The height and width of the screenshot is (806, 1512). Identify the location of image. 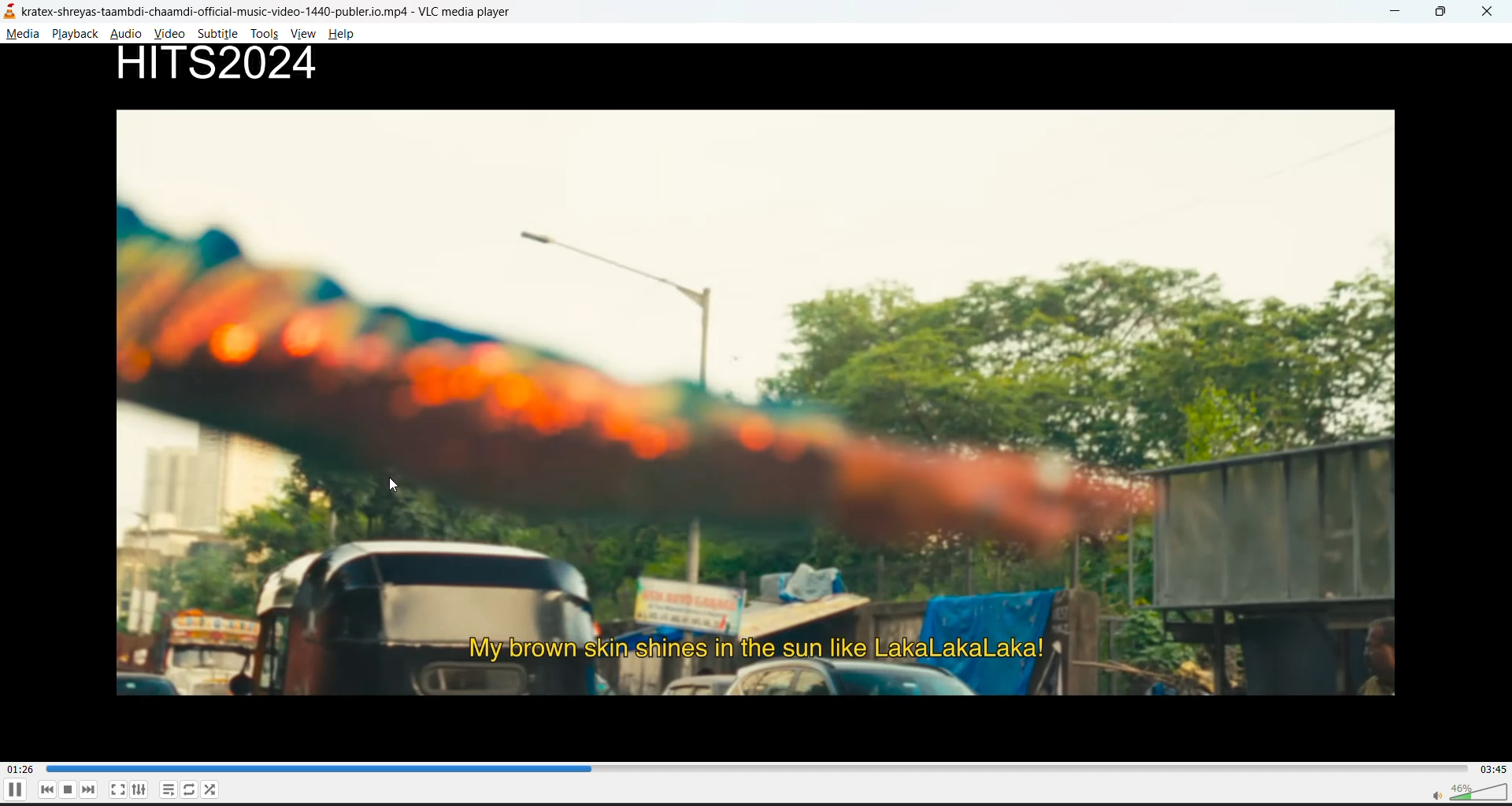
(766, 360).